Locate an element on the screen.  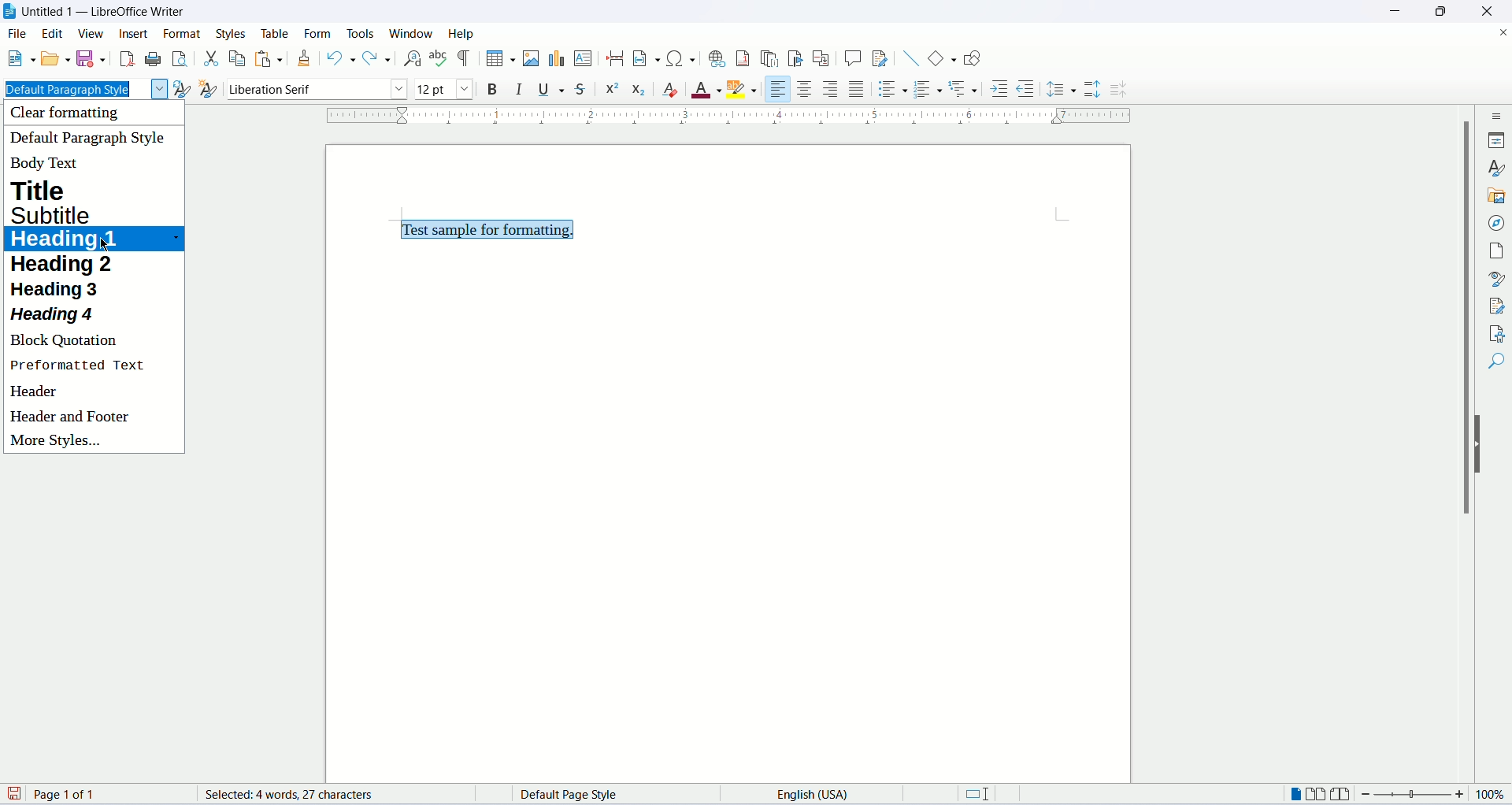
insert is located at coordinates (135, 37).